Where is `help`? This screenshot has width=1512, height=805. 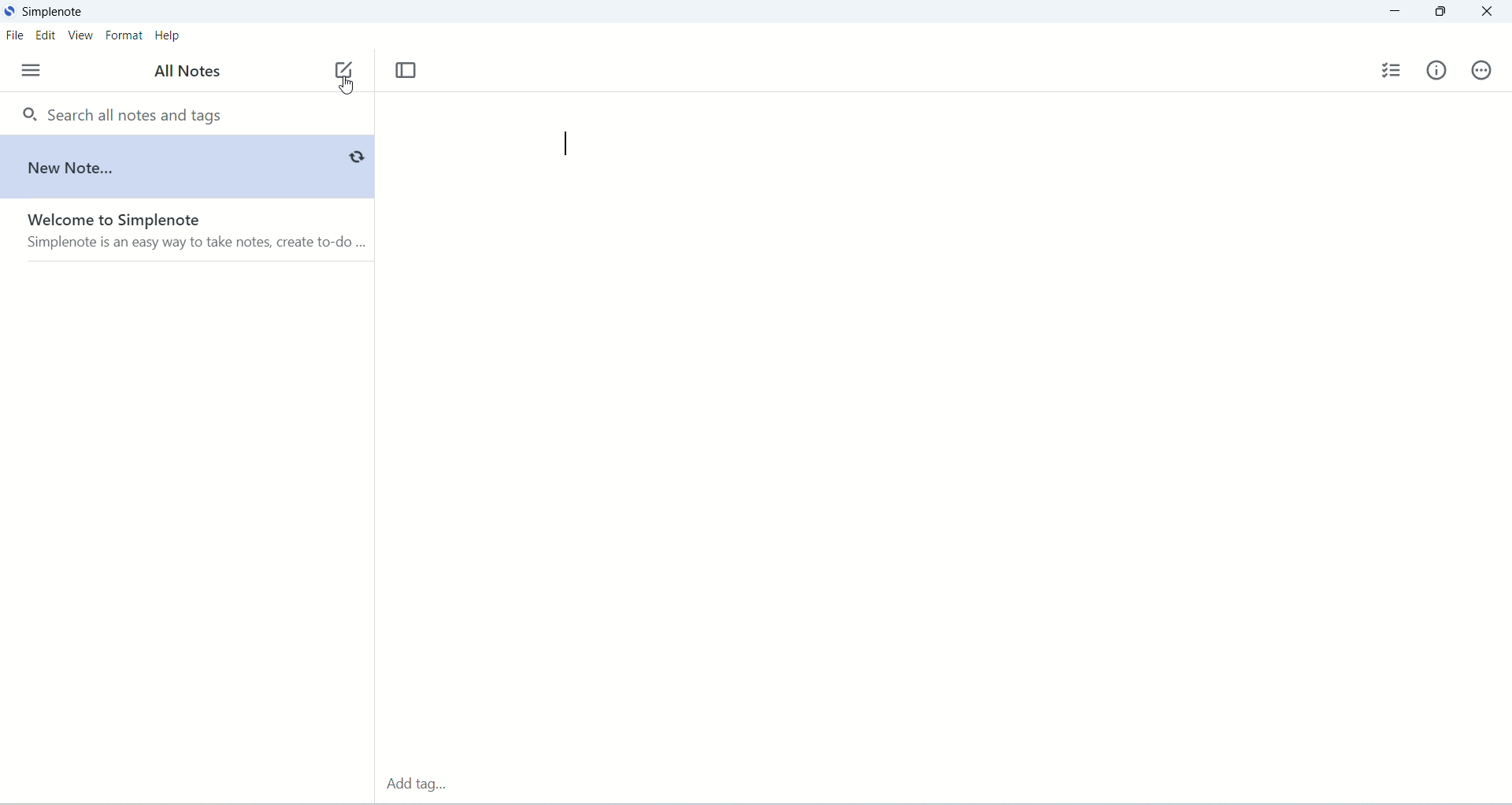
help is located at coordinates (166, 35).